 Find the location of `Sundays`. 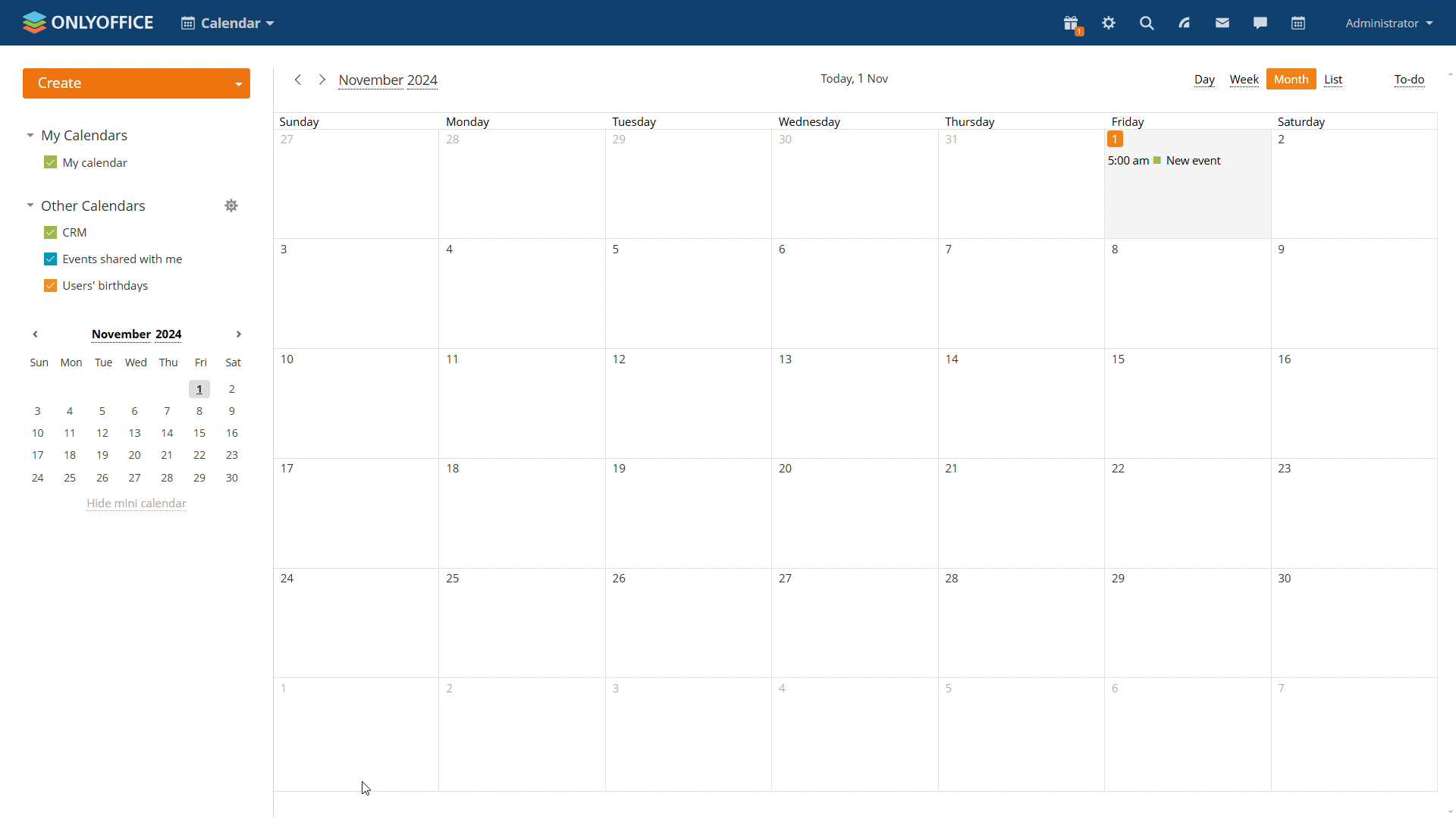

Sundays is located at coordinates (356, 452).